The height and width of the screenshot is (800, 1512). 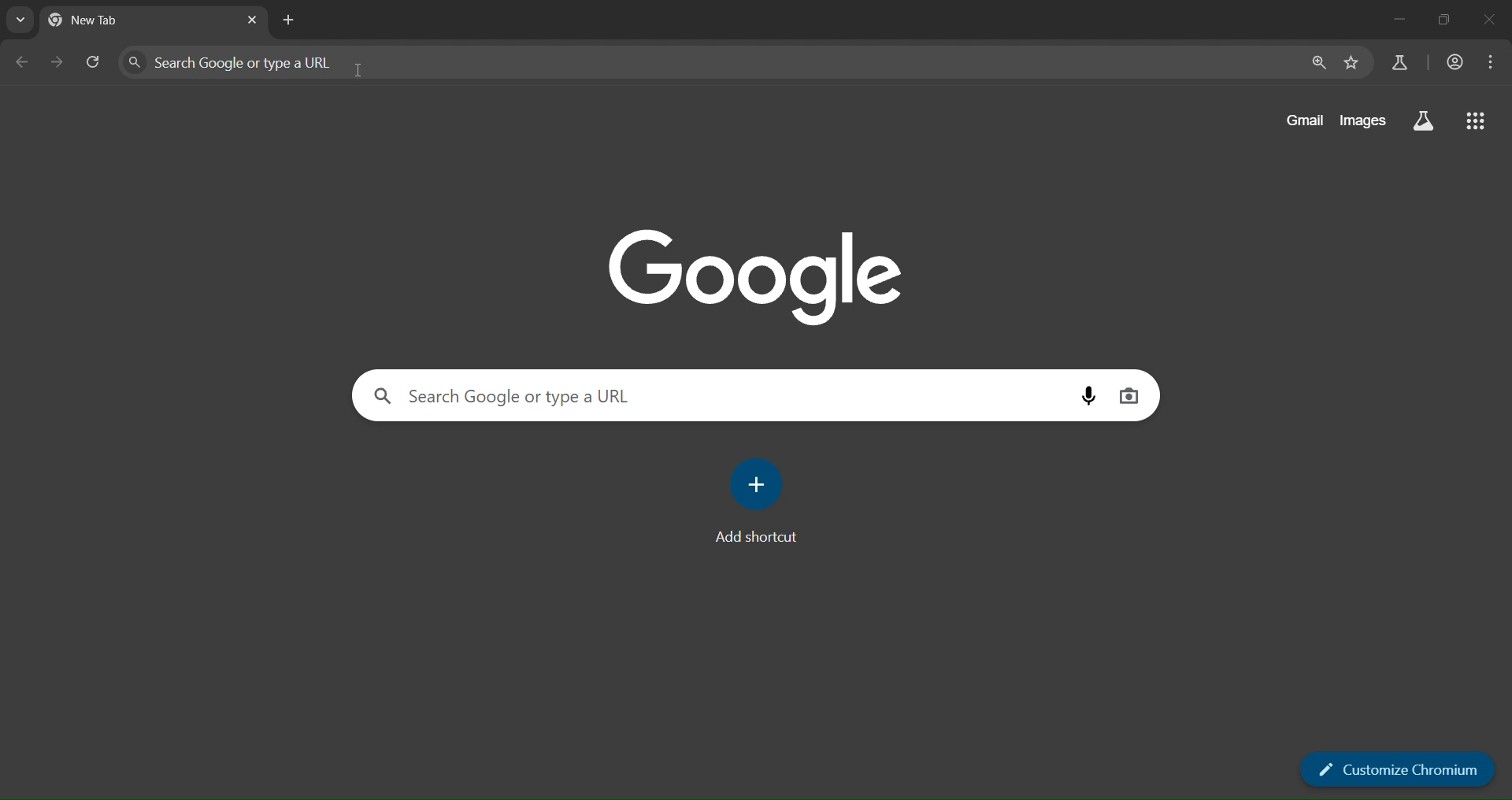 I want to click on search labs, so click(x=1395, y=62).